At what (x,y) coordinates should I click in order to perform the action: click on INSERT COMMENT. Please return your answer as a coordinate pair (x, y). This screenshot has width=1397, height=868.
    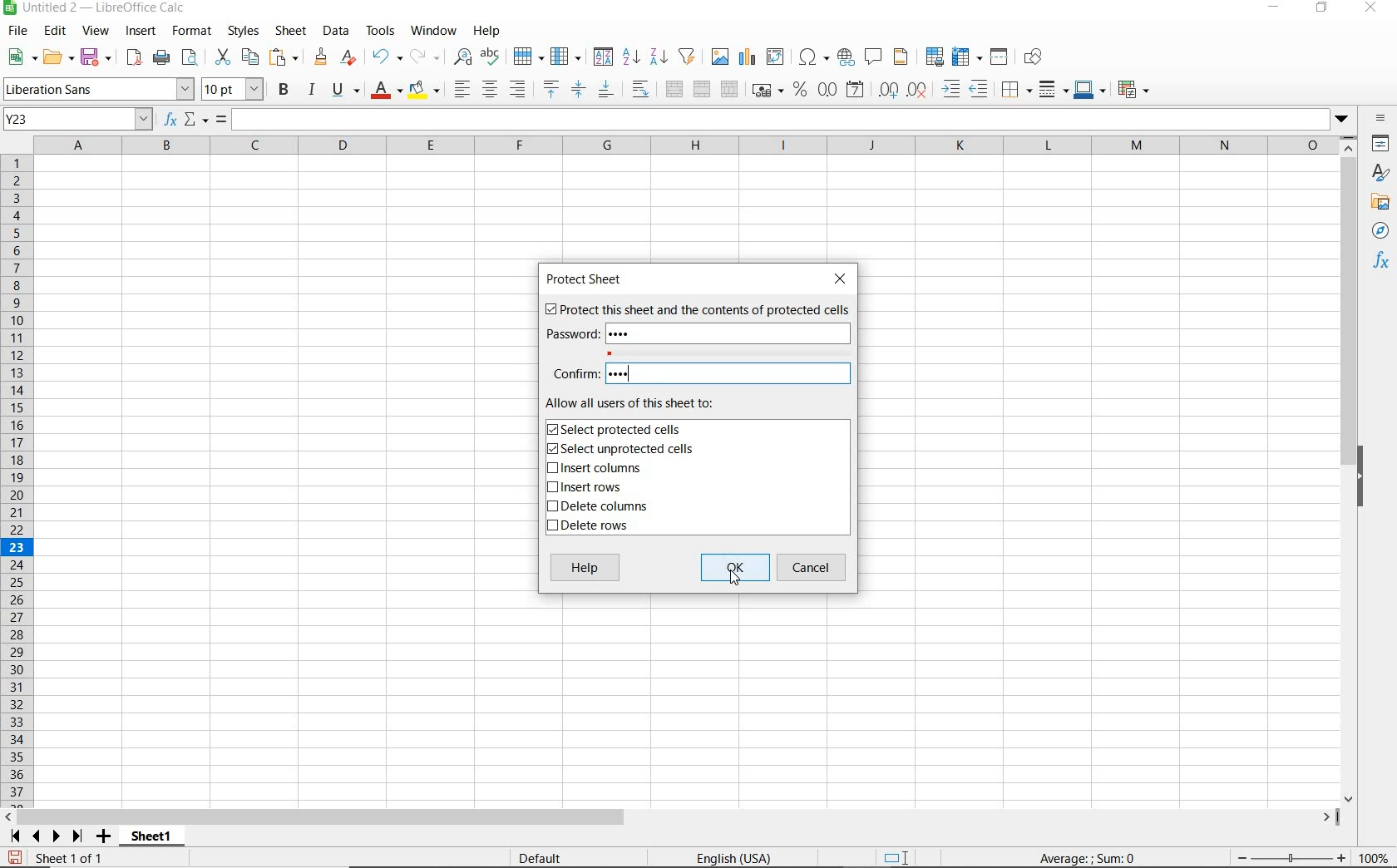
    Looking at the image, I should click on (873, 56).